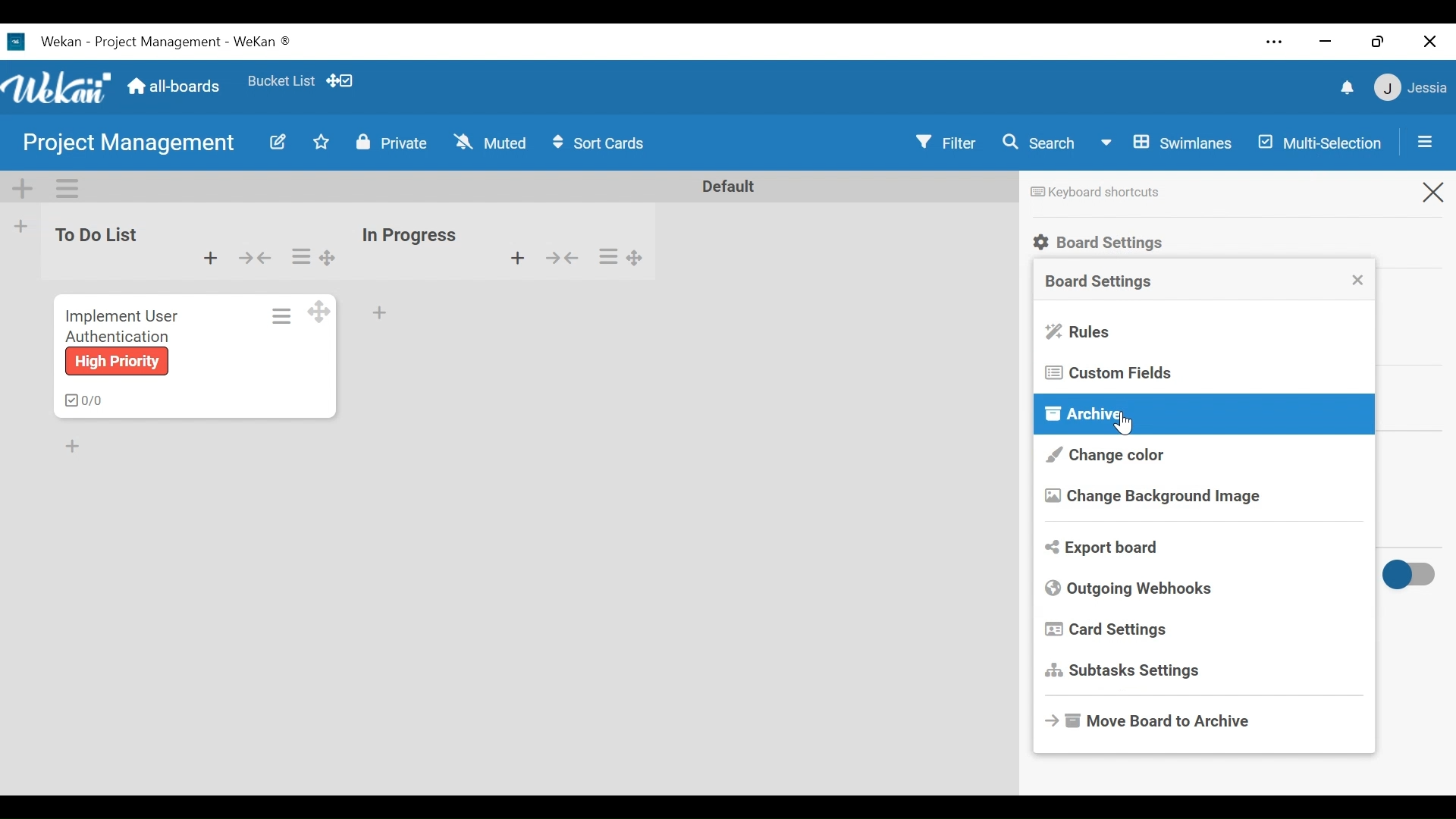  I want to click on Add list, so click(19, 226).